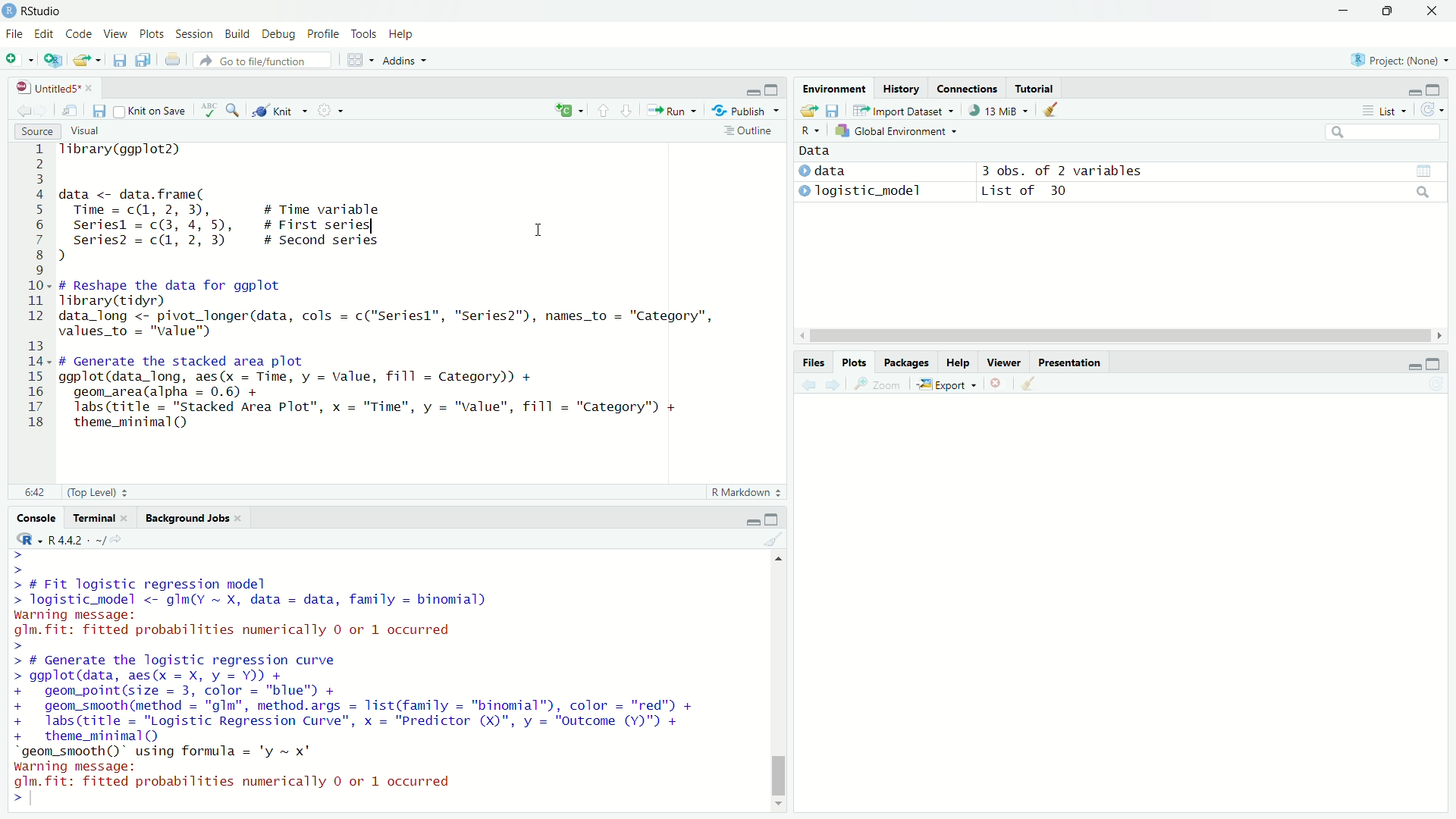 This screenshot has height=819, width=1456. Describe the element at coordinates (39, 10) in the screenshot. I see `RStudio` at that location.